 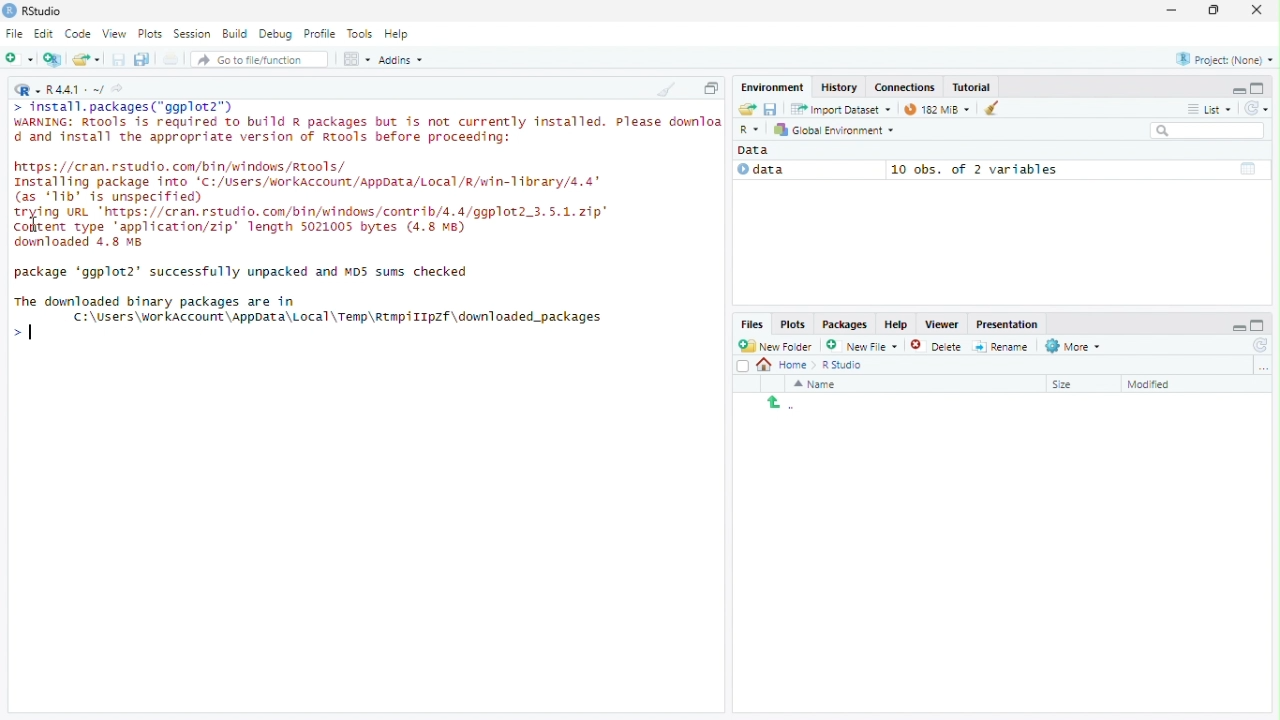 What do you see at coordinates (323, 34) in the screenshot?
I see `Profile` at bounding box center [323, 34].